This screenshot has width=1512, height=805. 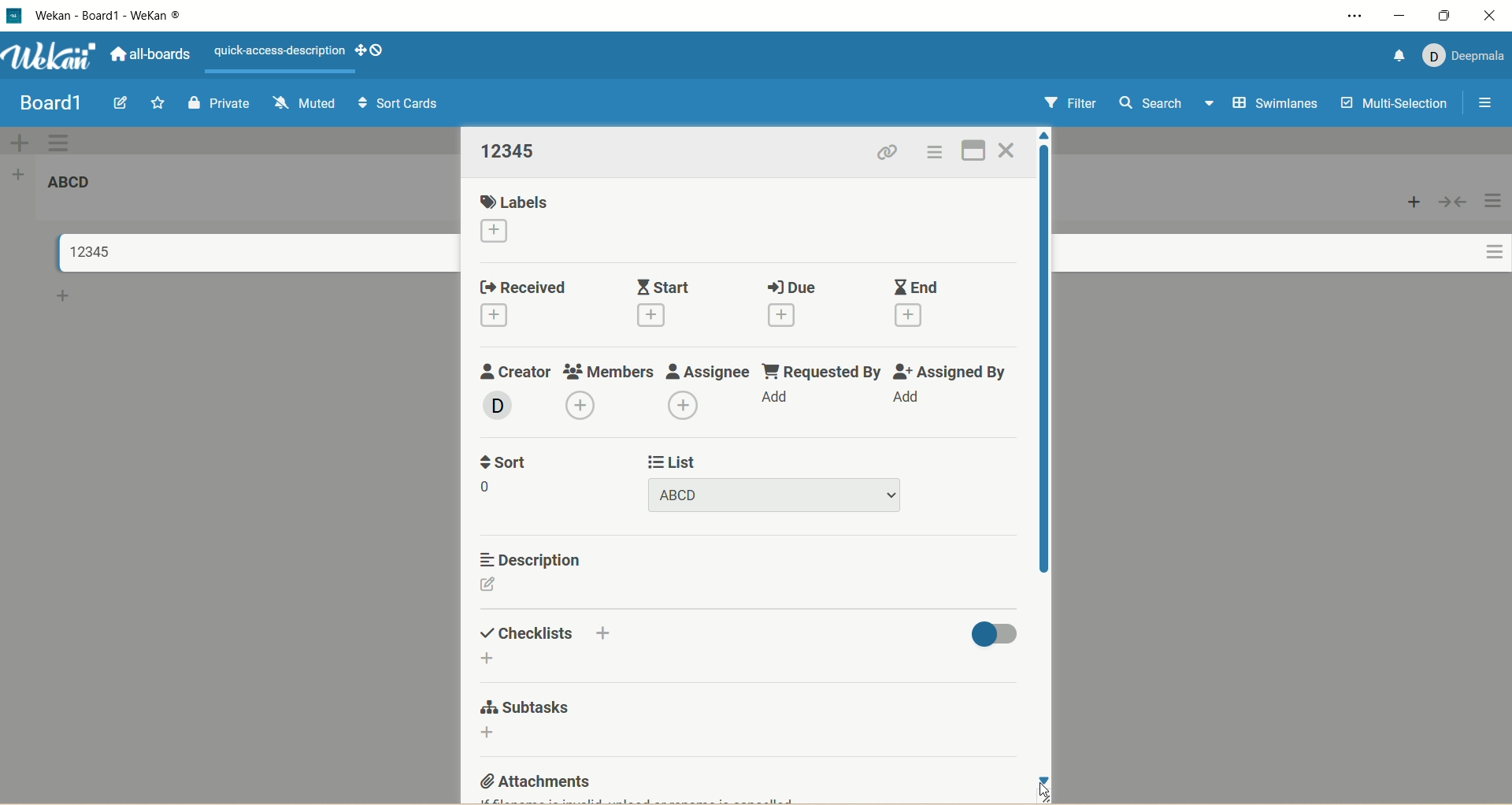 I want to click on sort cards, so click(x=399, y=106).